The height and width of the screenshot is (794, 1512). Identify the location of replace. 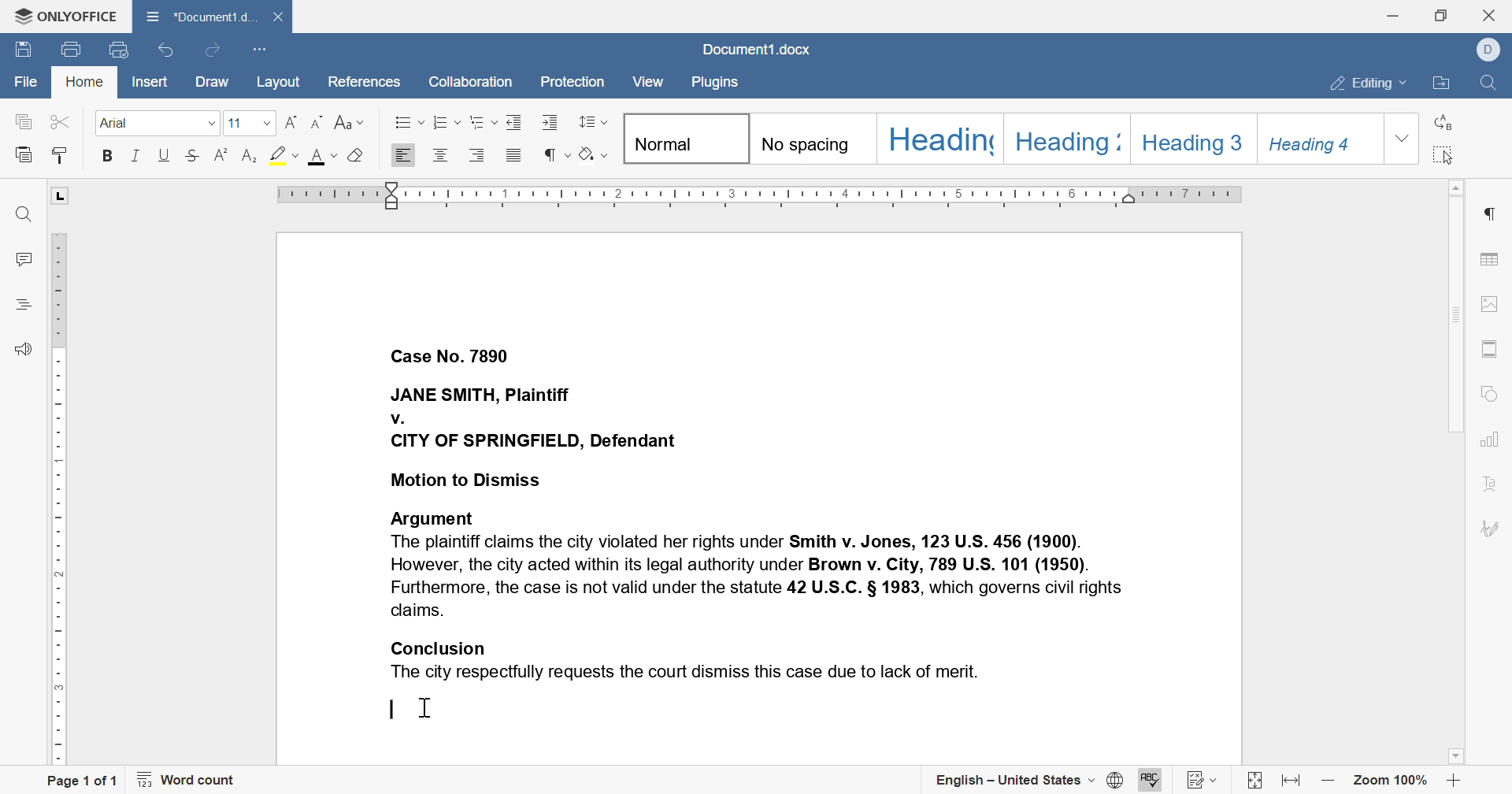
(1444, 121).